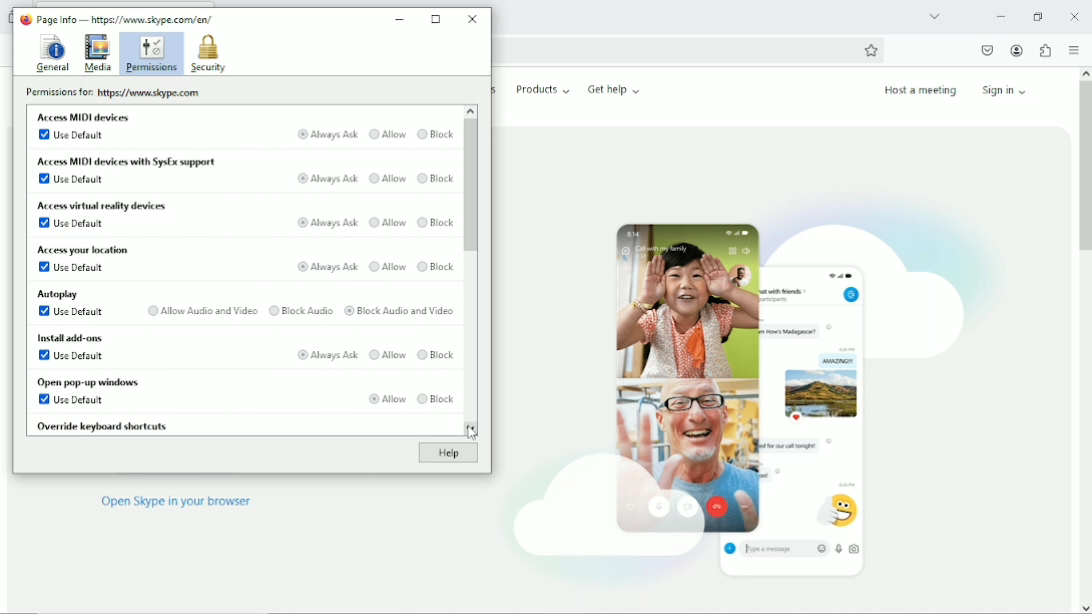 The height and width of the screenshot is (614, 1092). Describe the element at coordinates (1000, 16) in the screenshot. I see `Minimize` at that location.